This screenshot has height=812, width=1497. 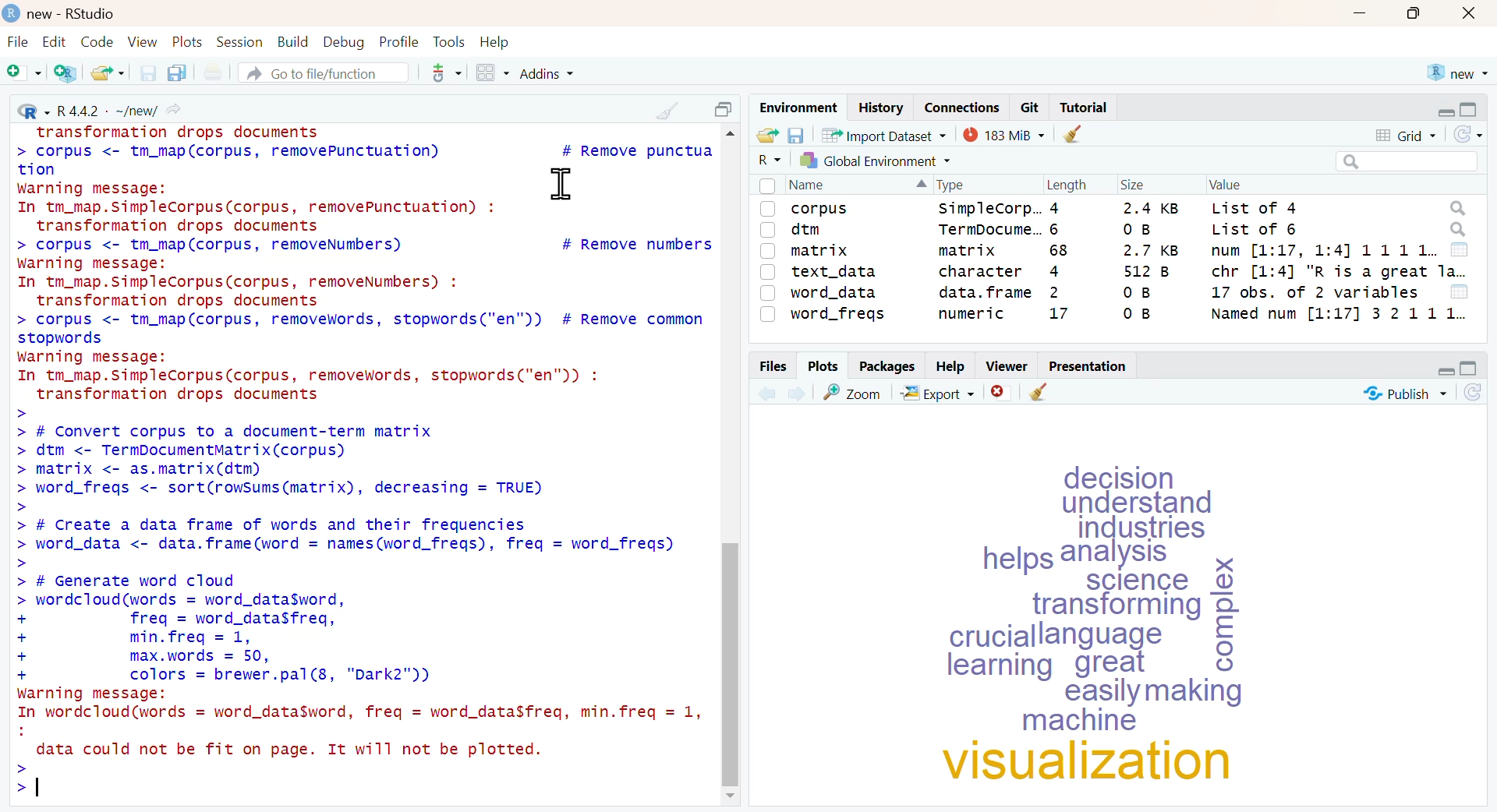 What do you see at coordinates (1133, 314) in the screenshot?
I see `0 B` at bounding box center [1133, 314].